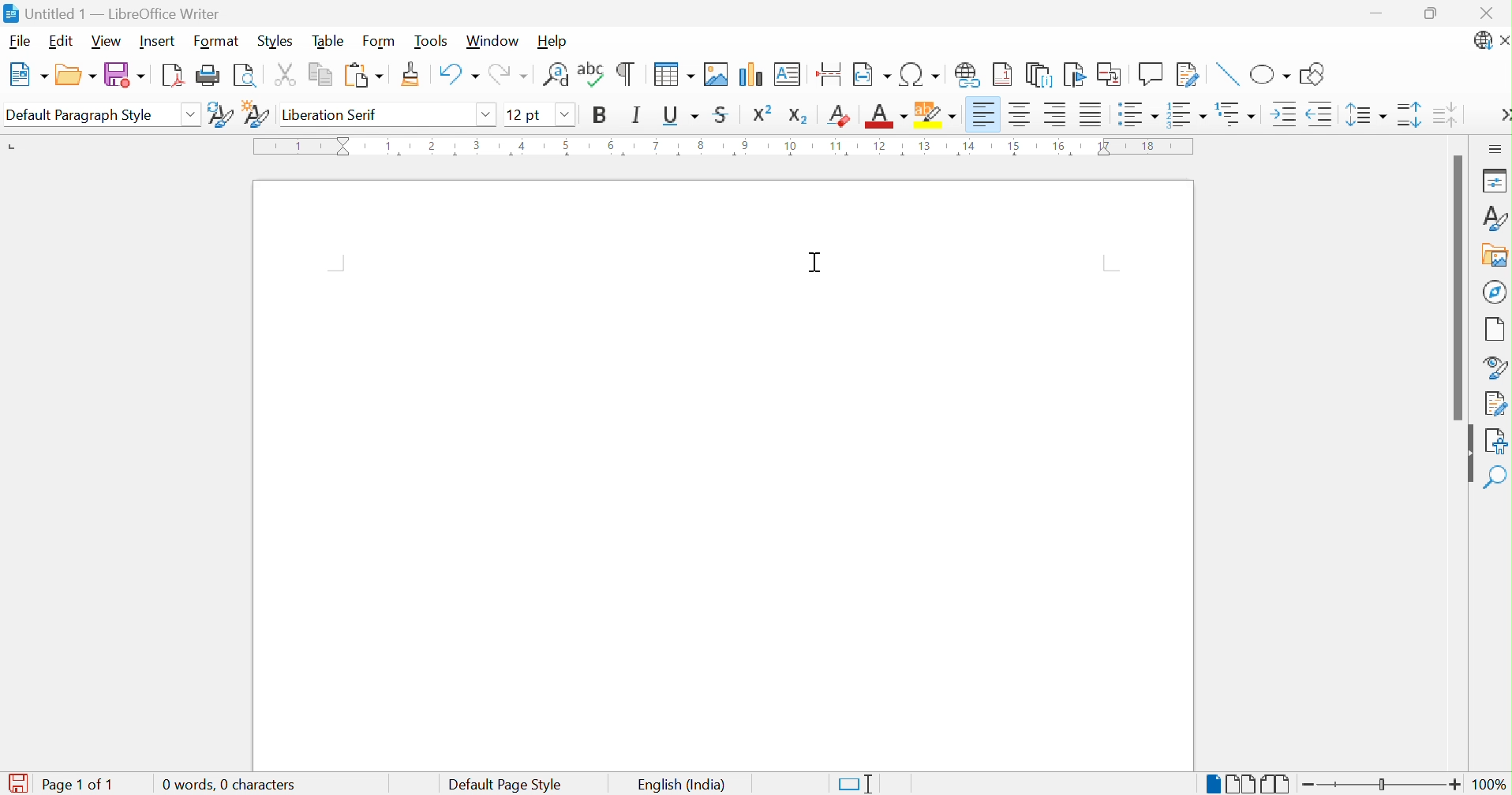 This screenshot has height=795, width=1512. What do you see at coordinates (381, 42) in the screenshot?
I see `Form` at bounding box center [381, 42].